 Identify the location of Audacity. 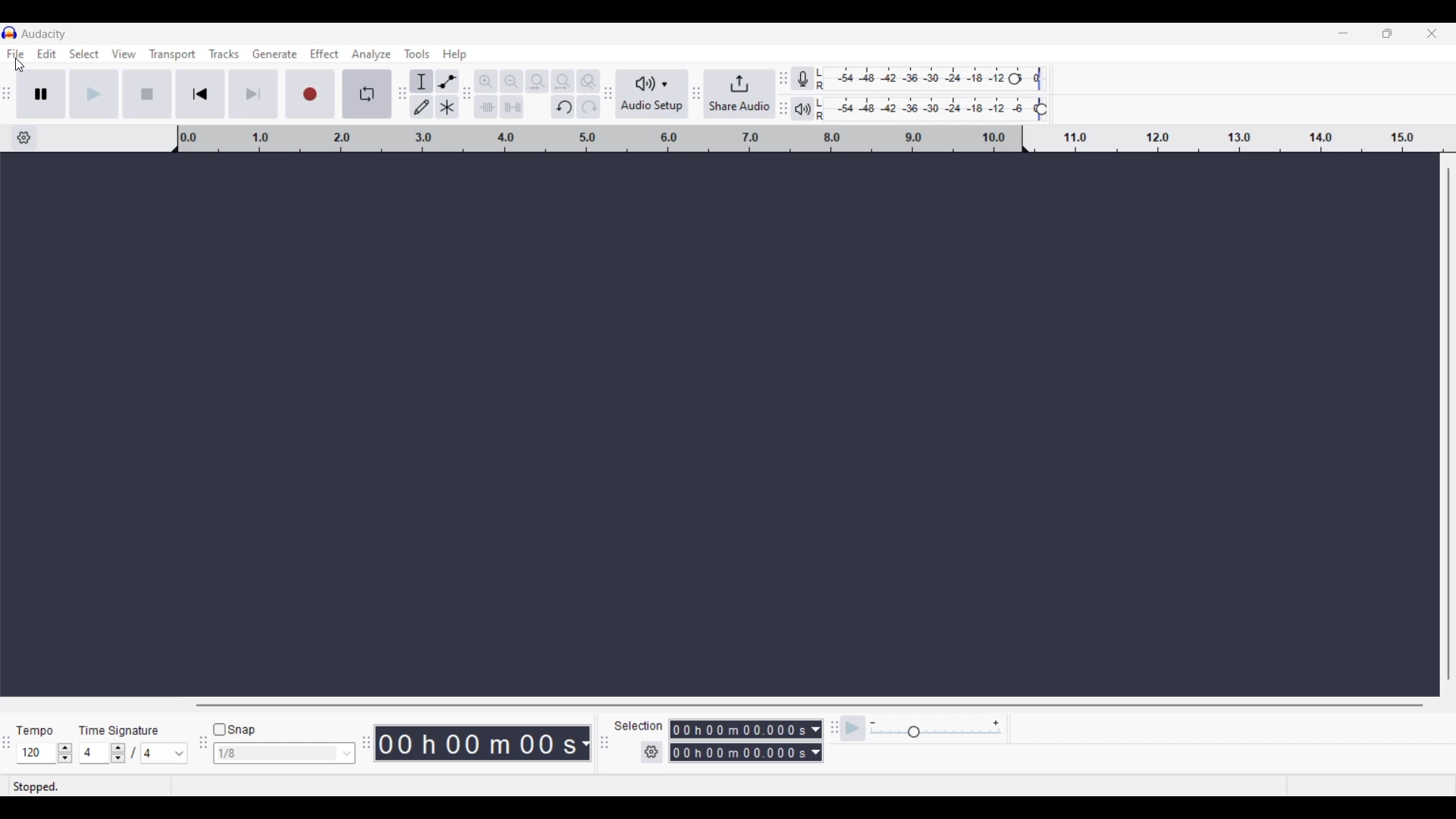
(45, 33).